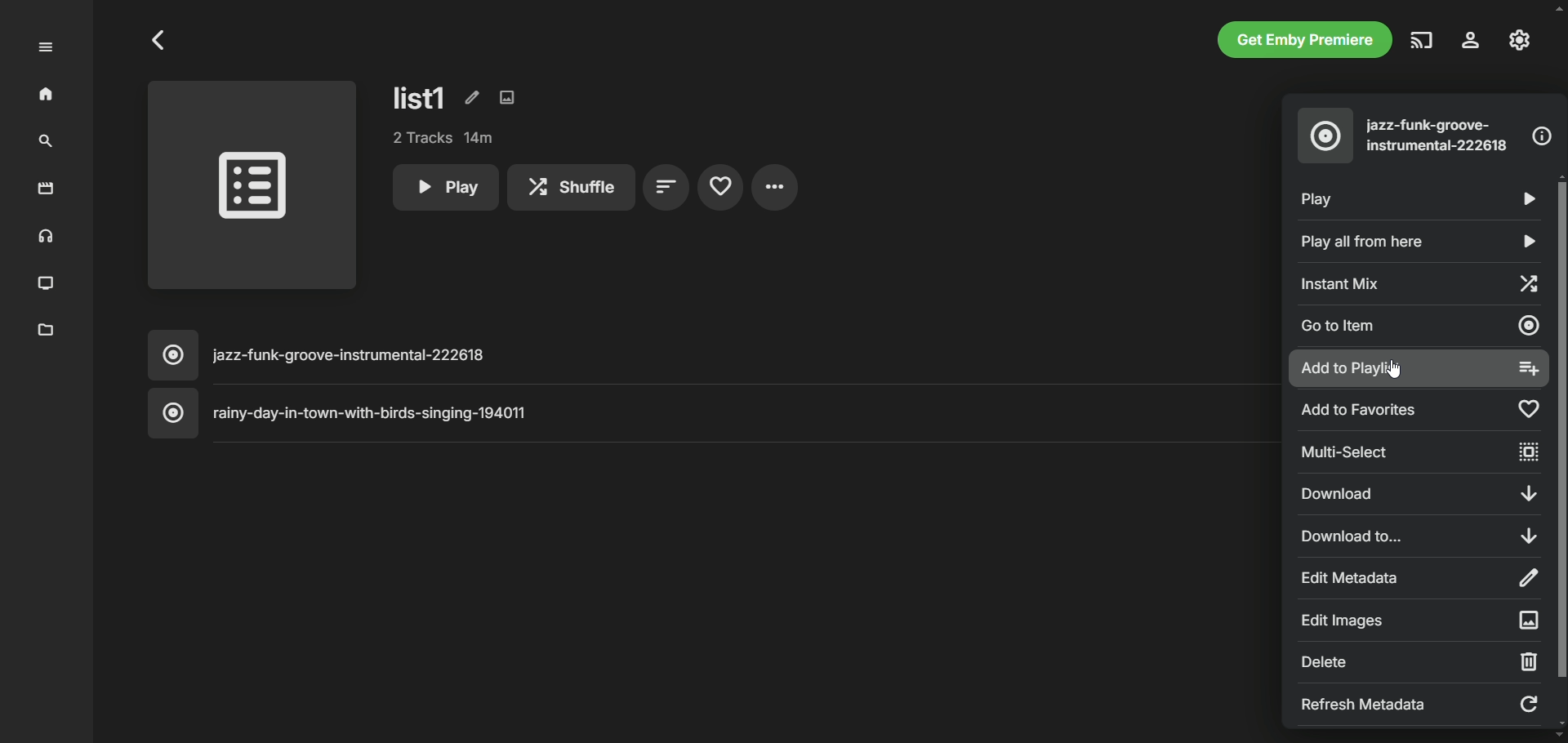 This screenshot has width=1568, height=743. What do you see at coordinates (775, 187) in the screenshot?
I see `settings` at bounding box center [775, 187].